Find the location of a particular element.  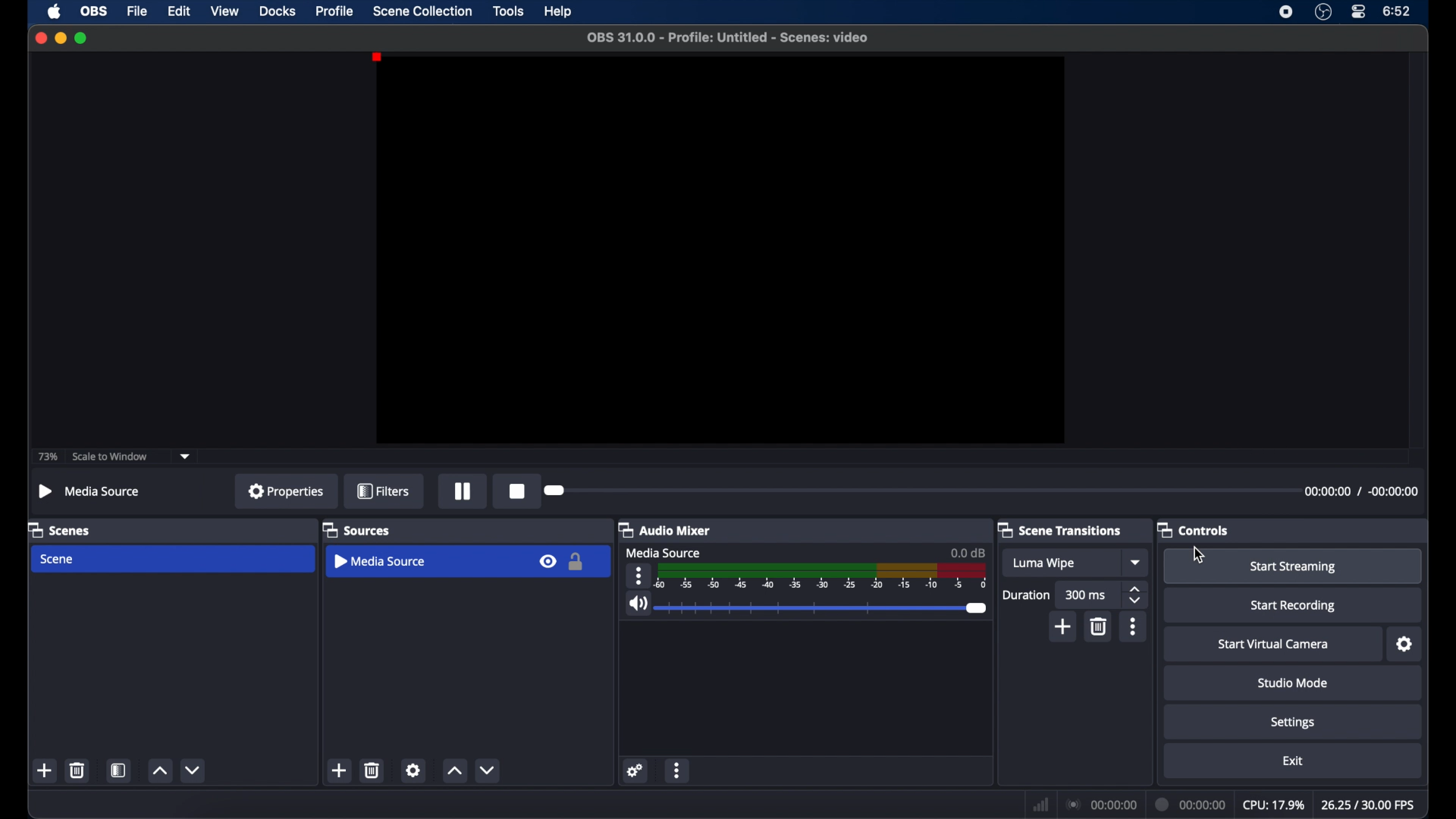

duration is located at coordinates (1027, 594).